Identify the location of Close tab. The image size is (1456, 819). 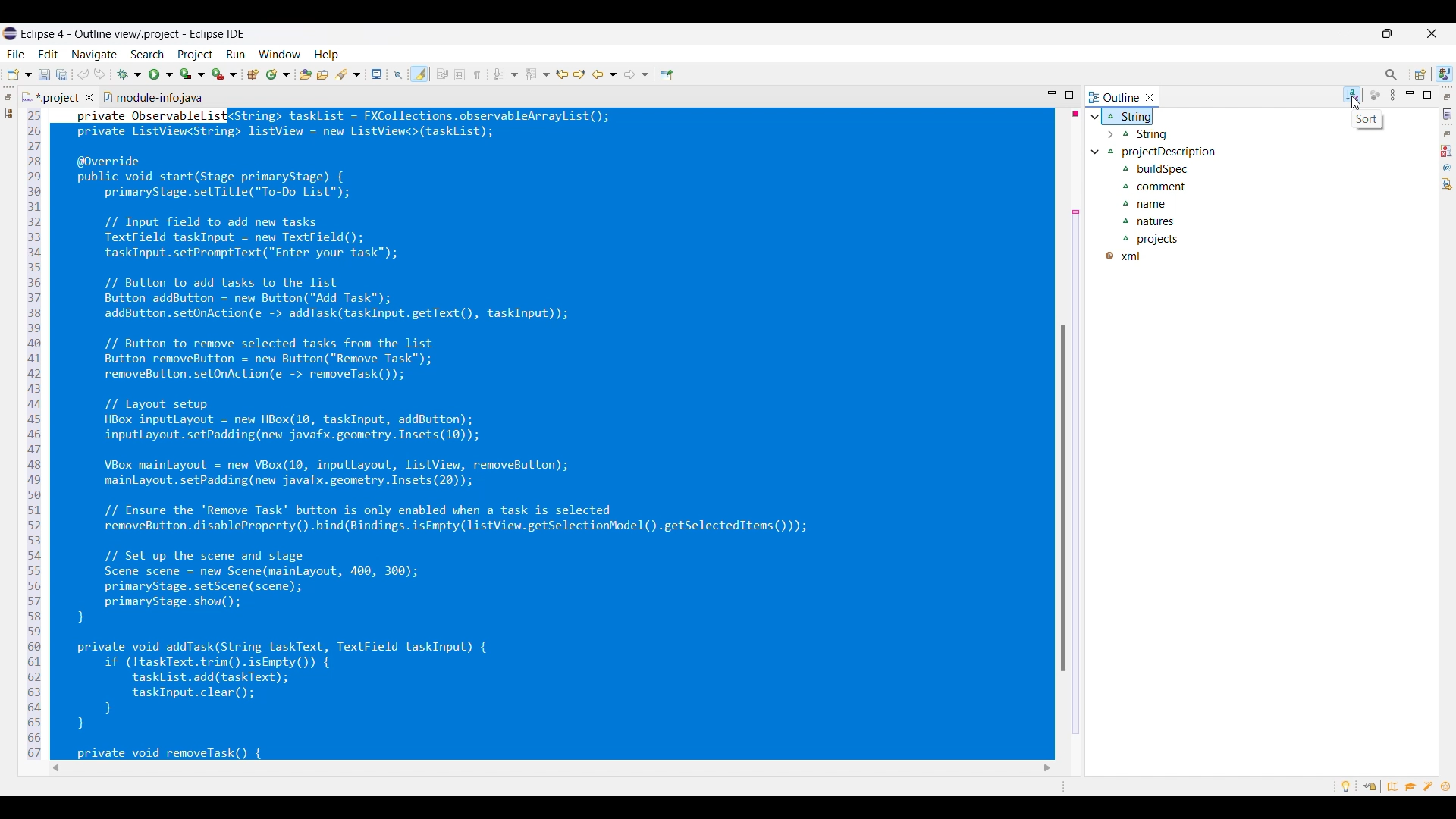
(1150, 97).